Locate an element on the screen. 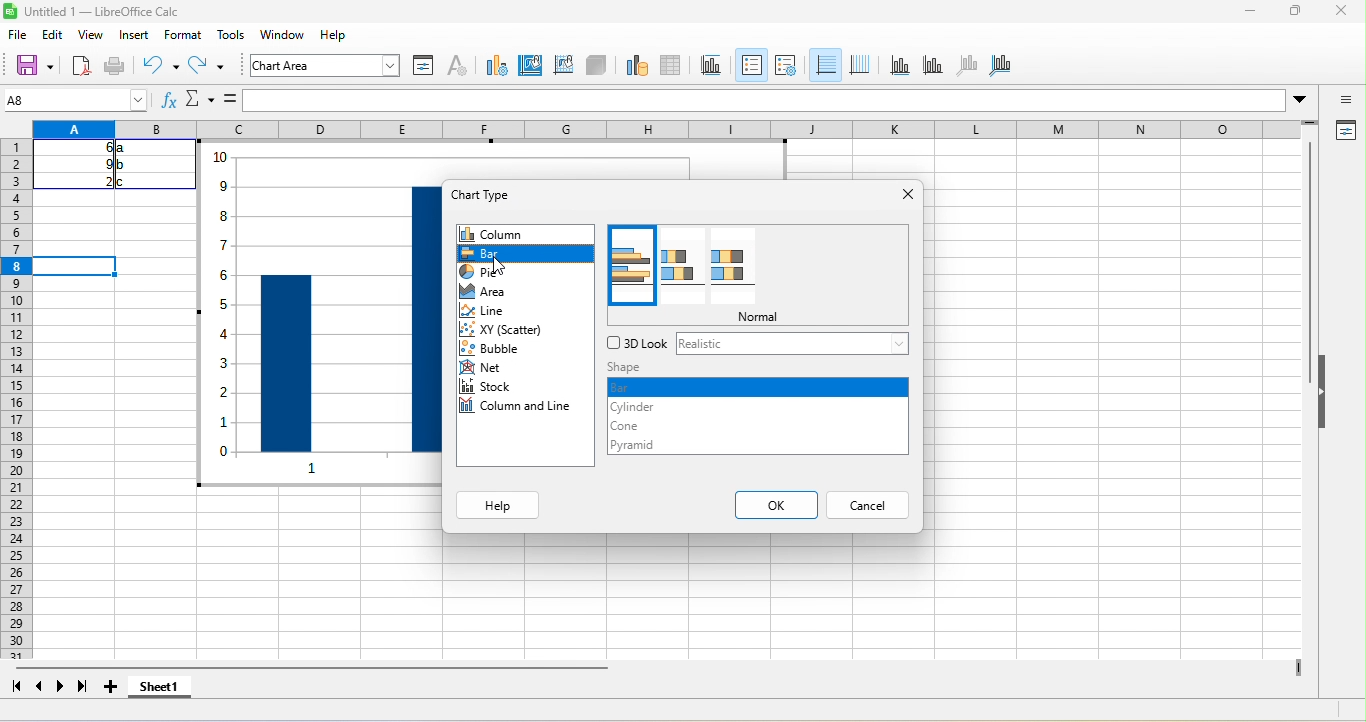 The width and height of the screenshot is (1366, 722). titles is located at coordinates (787, 66).